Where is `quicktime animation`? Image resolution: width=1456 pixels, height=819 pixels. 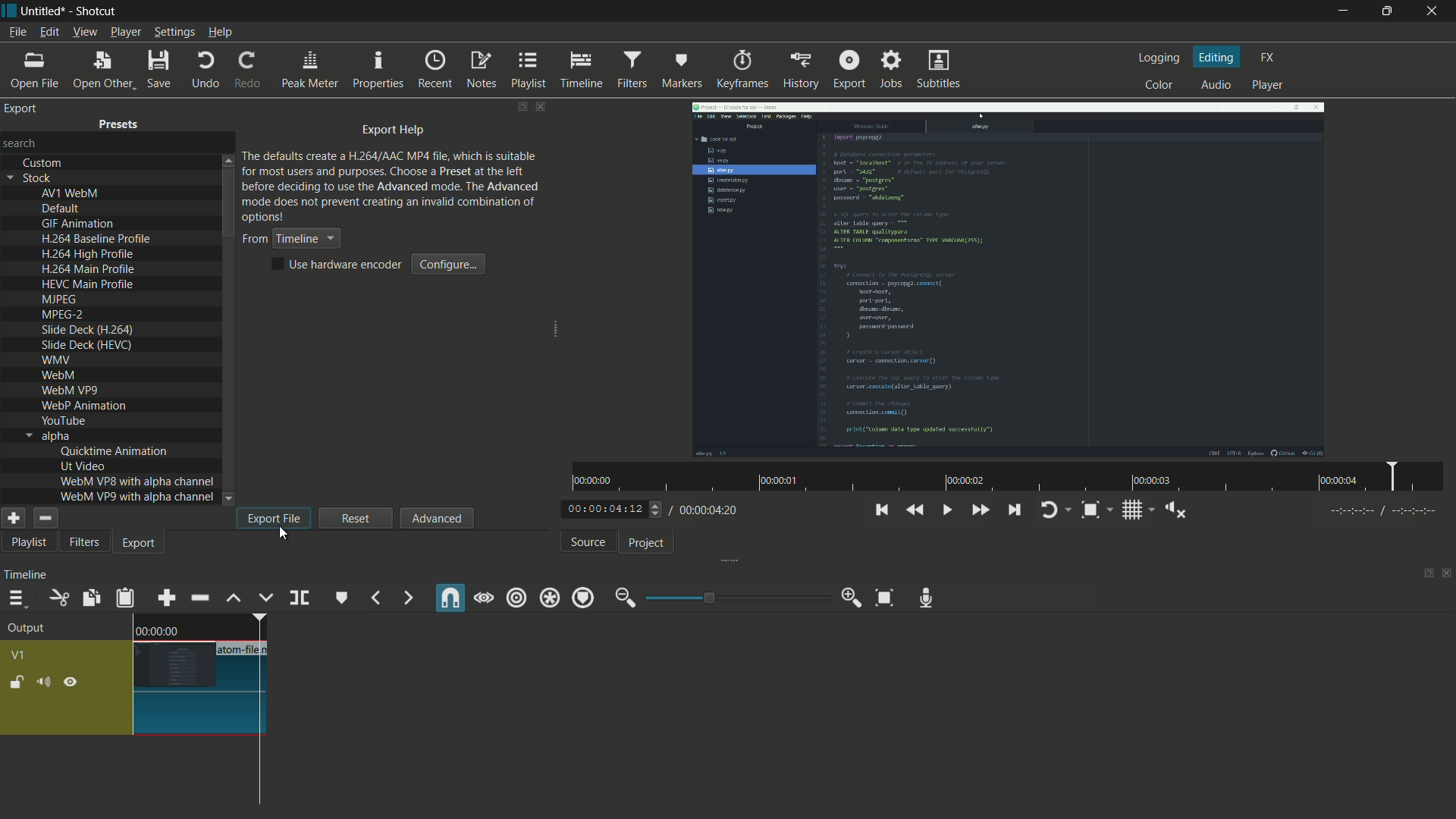 quicktime animation is located at coordinates (115, 451).